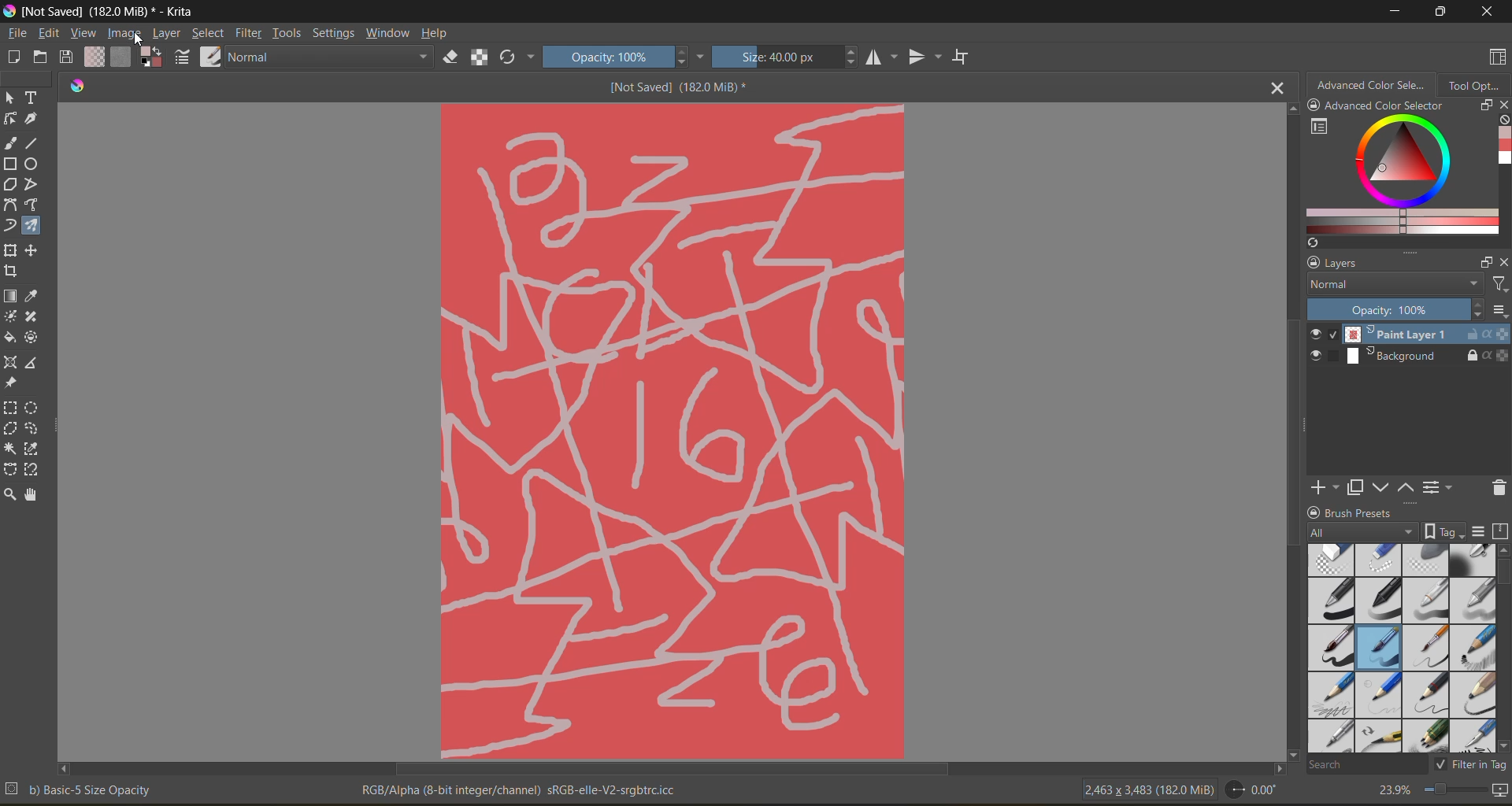 This screenshot has height=806, width=1512. Describe the element at coordinates (1477, 86) in the screenshot. I see `tool options` at that location.